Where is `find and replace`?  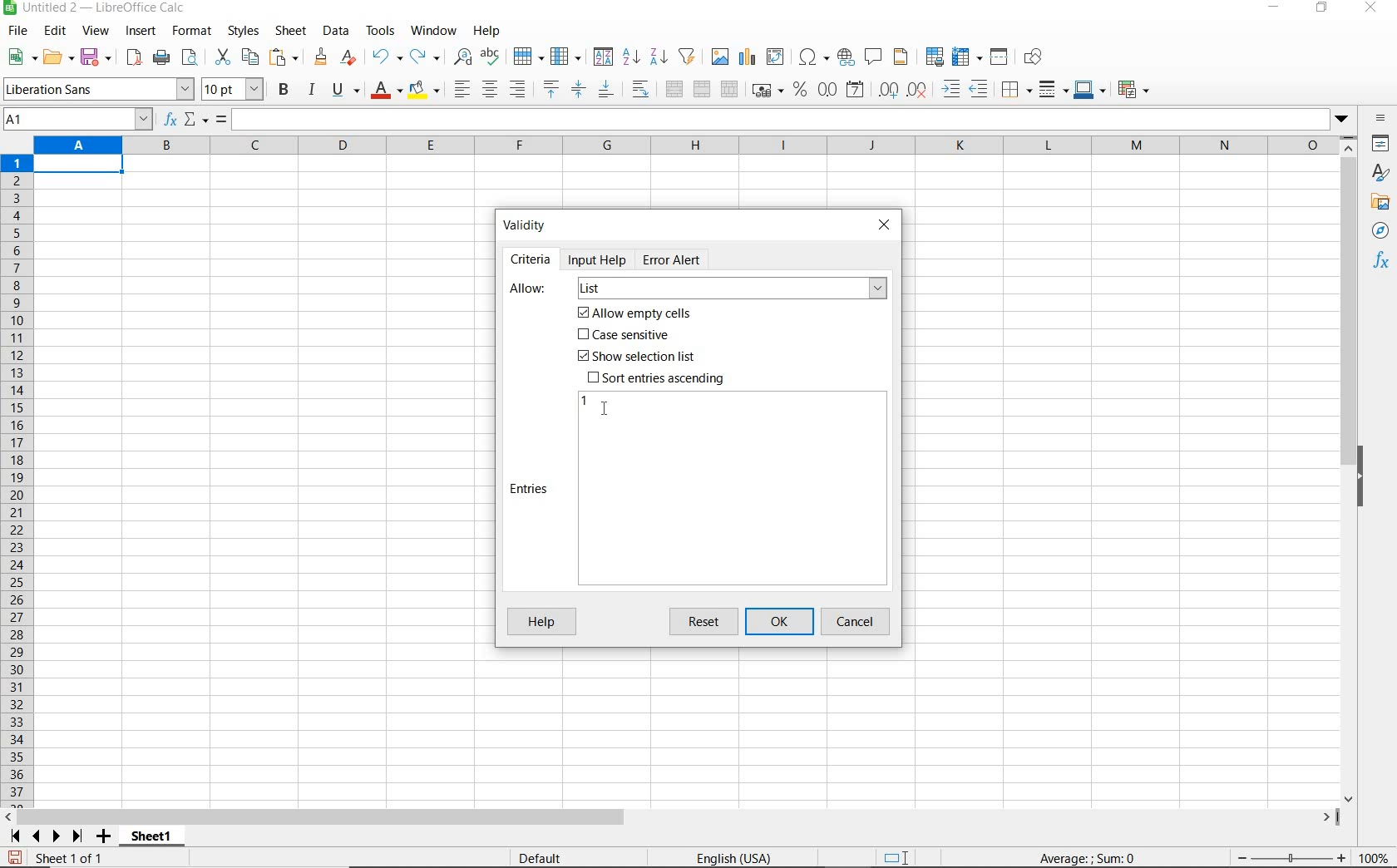
find and replace is located at coordinates (462, 57).